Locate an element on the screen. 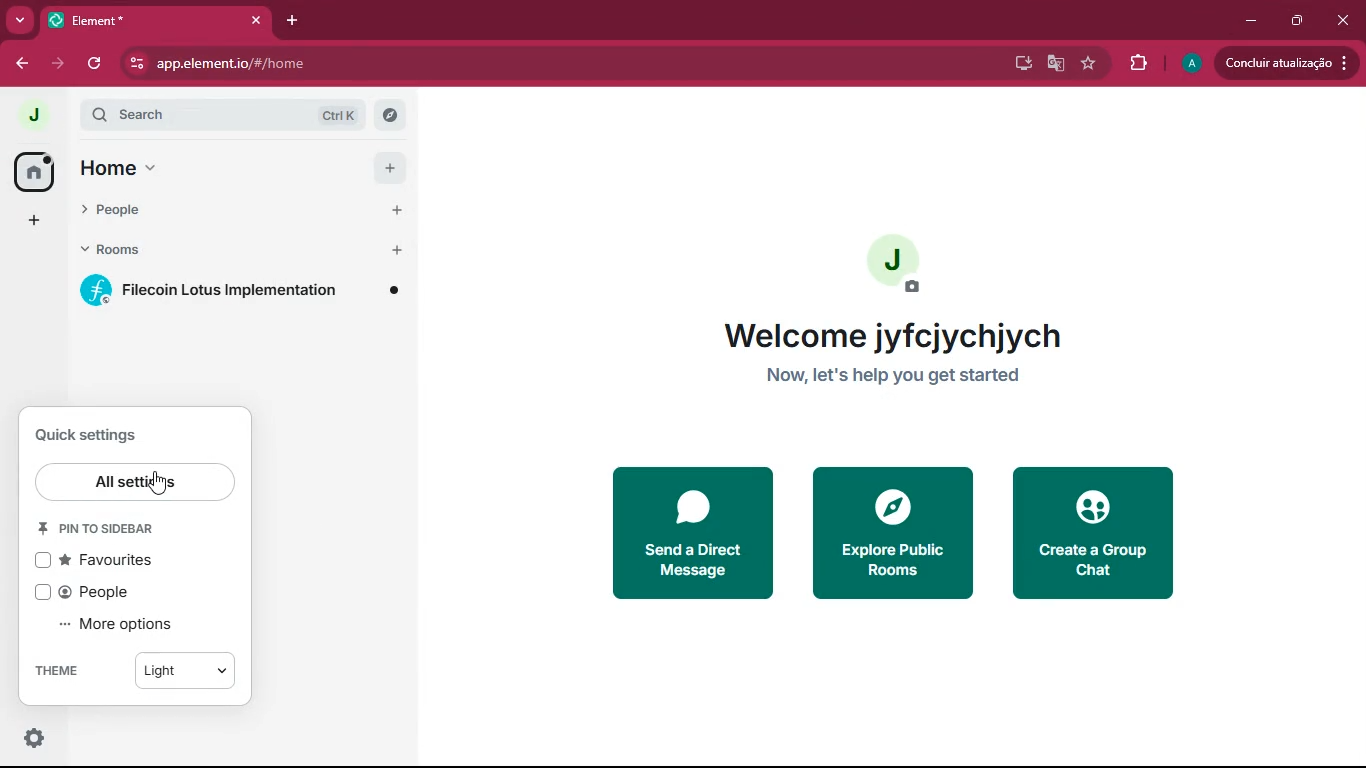 This screenshot has height=768, width=1366. send a direct message is located at coordinates (691, 530).